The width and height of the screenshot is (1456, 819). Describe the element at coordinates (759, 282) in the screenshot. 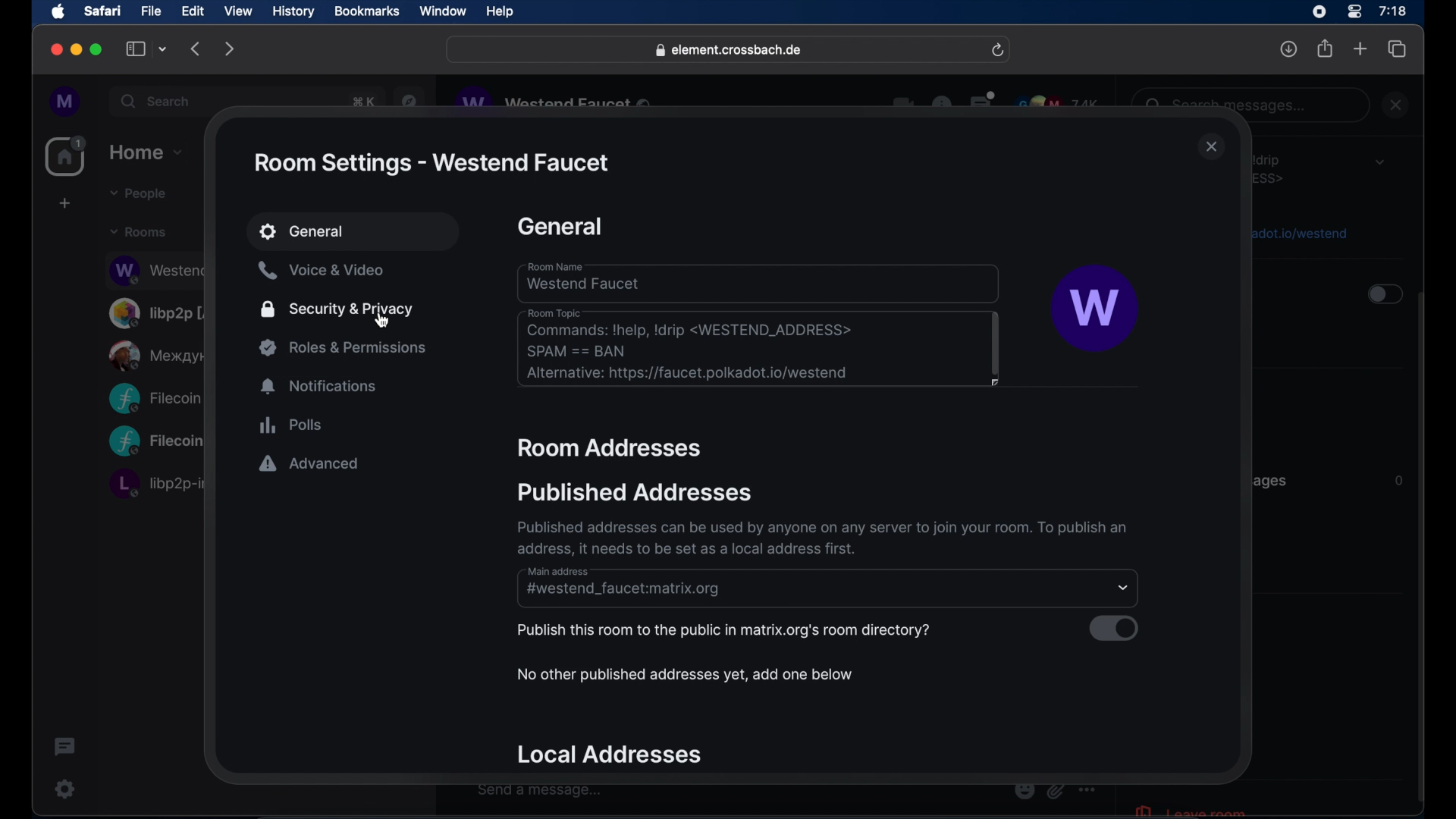

I see `room name` at that location.